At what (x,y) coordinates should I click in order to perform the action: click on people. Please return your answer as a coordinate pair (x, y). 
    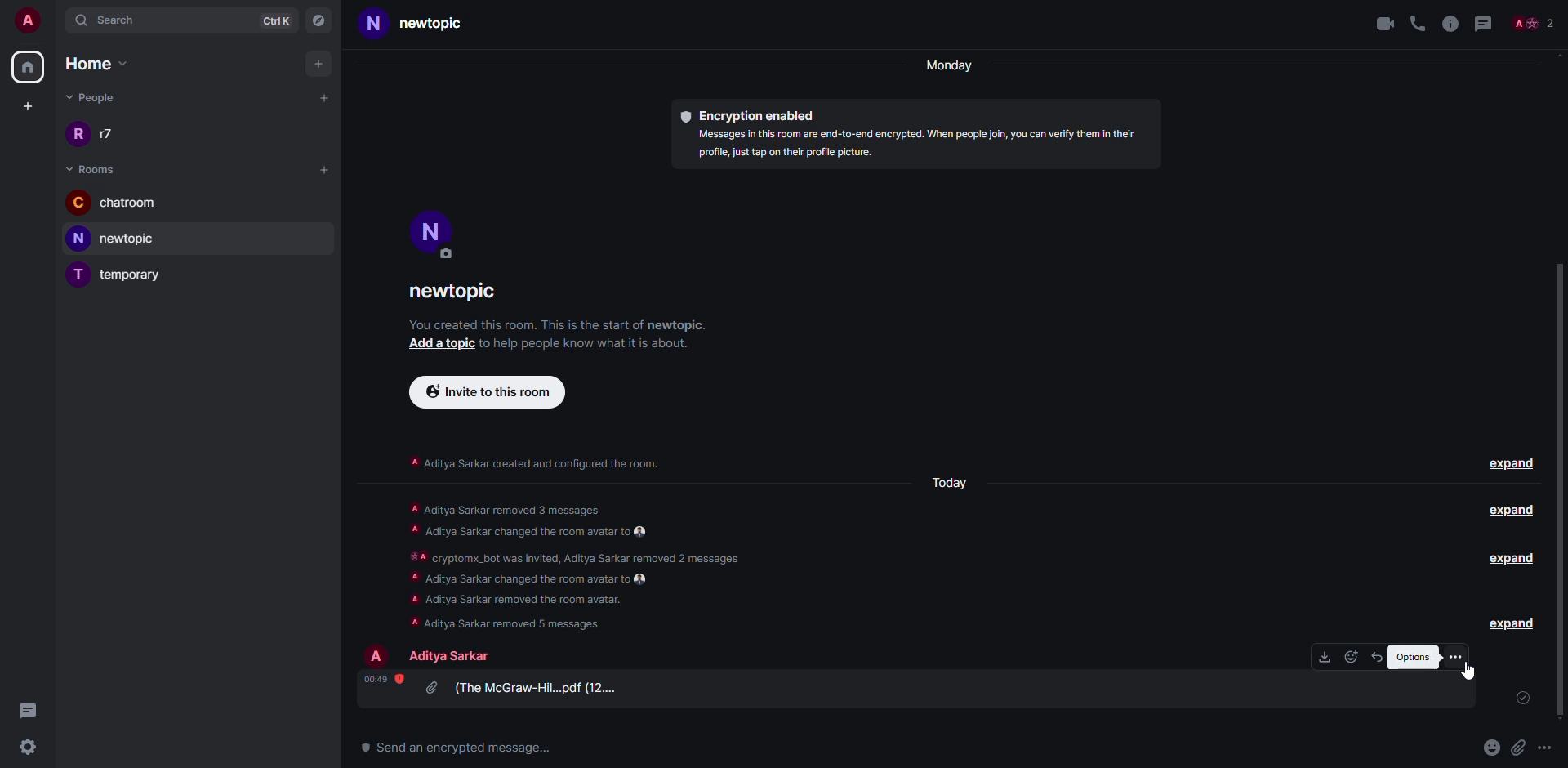
    Looking at the image, I should click on (100, 100).